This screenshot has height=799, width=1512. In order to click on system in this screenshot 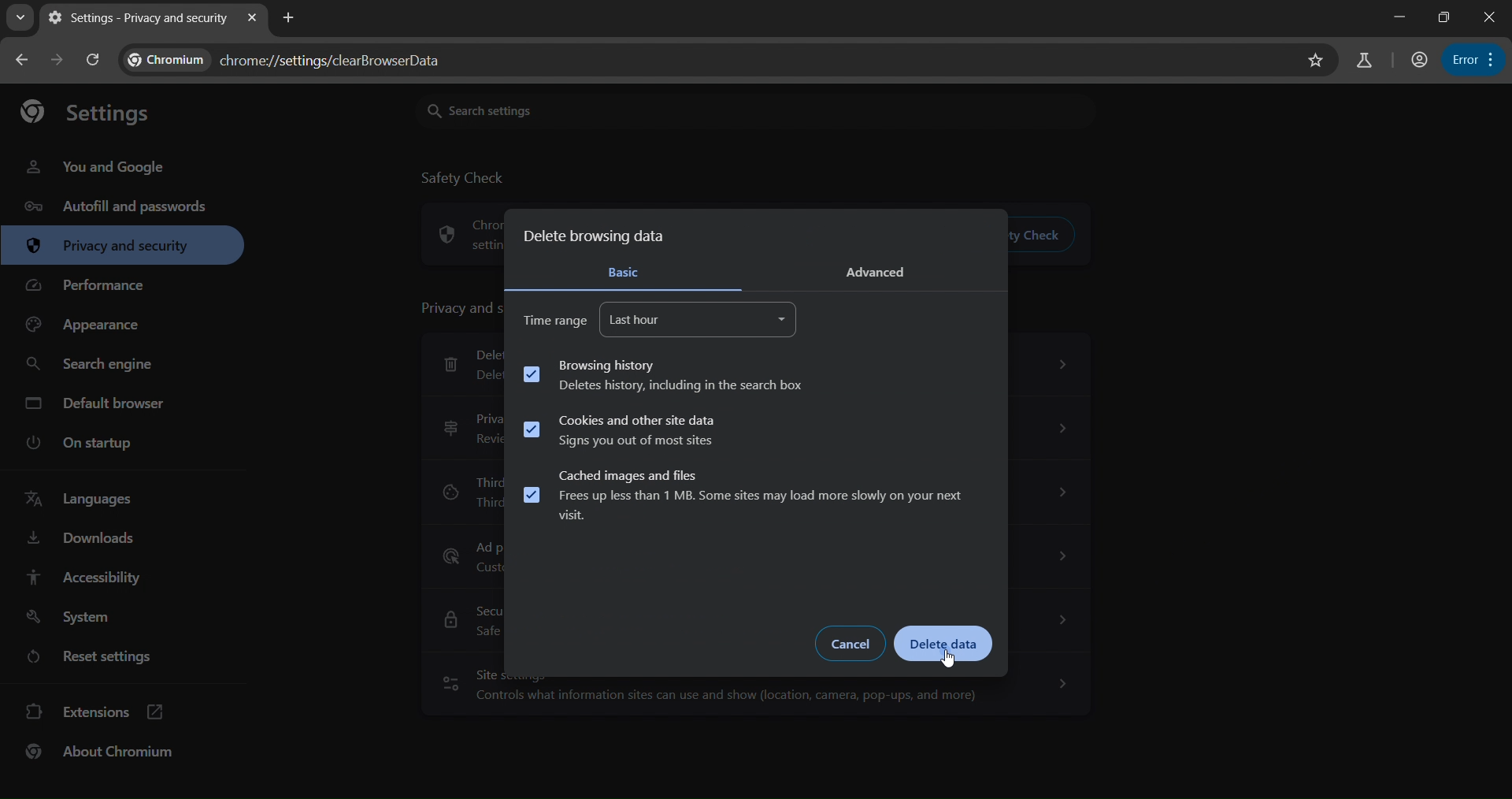, I will do `click(71, 617)`.